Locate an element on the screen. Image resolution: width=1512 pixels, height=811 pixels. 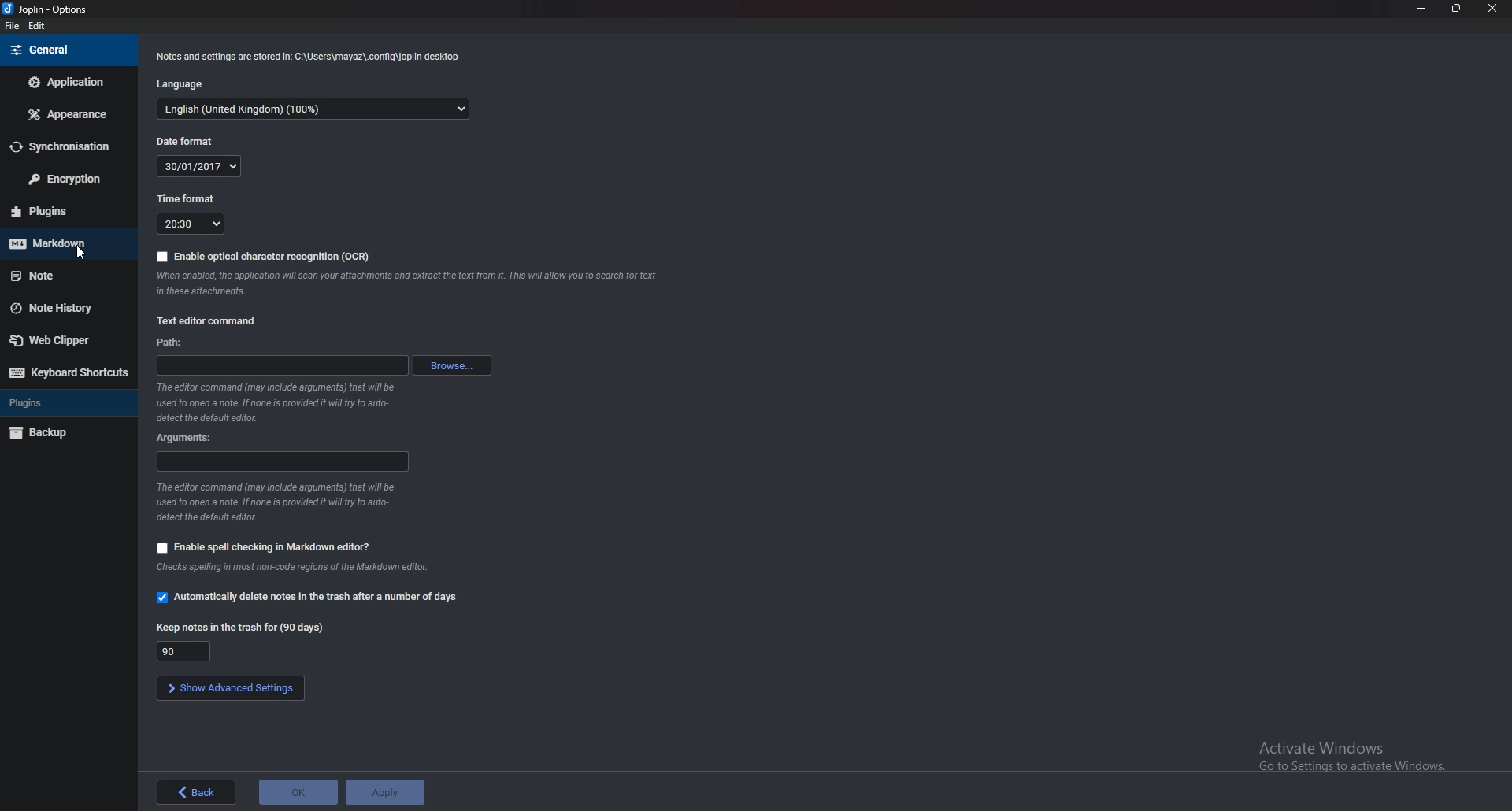
ok is located at coordinates (297, 791).